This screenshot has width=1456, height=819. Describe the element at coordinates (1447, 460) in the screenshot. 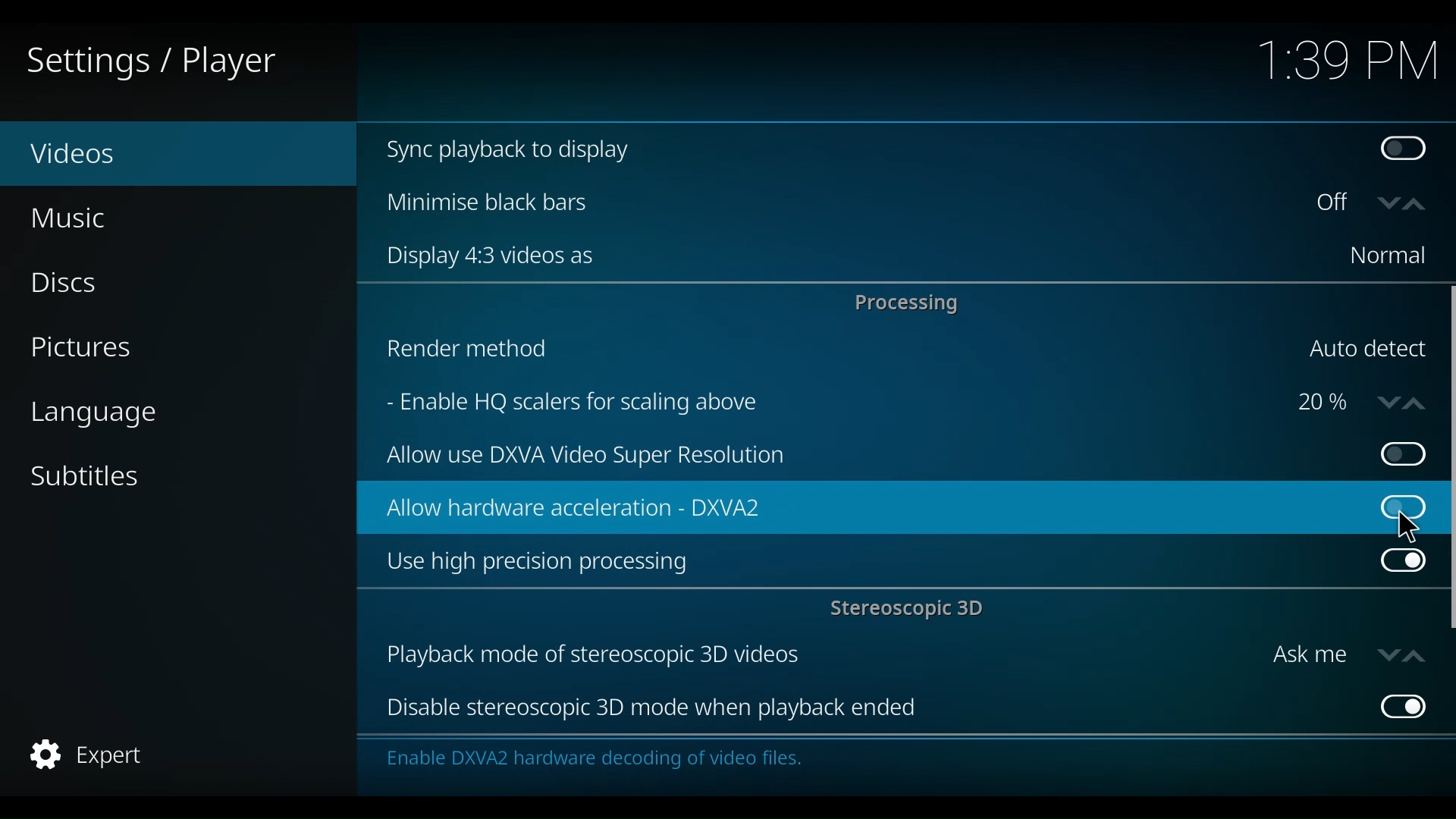

I see `Vertical Scrollbar` at that location.